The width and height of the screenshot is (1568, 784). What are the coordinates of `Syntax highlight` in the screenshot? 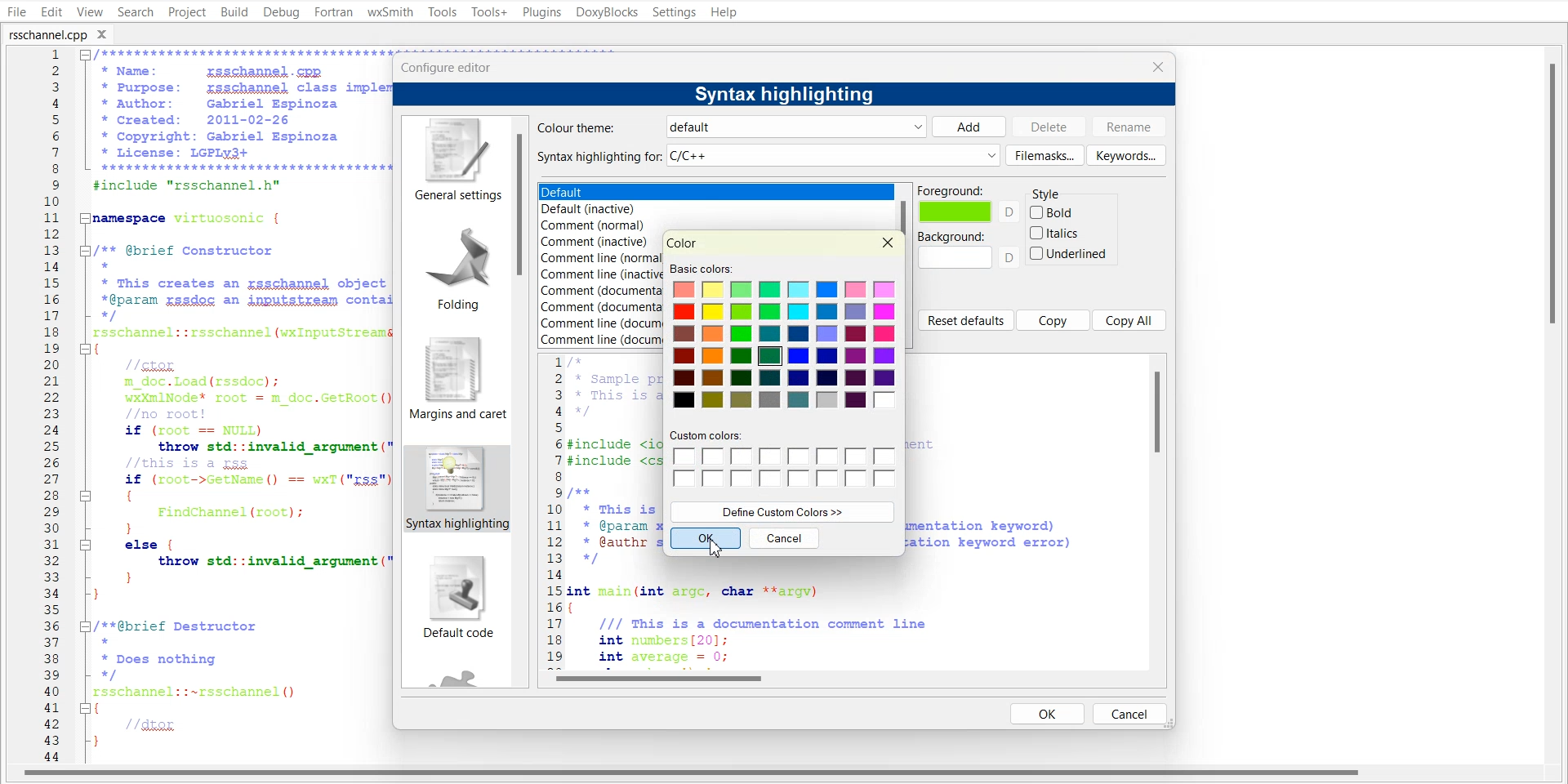 It's located at (455, 489).